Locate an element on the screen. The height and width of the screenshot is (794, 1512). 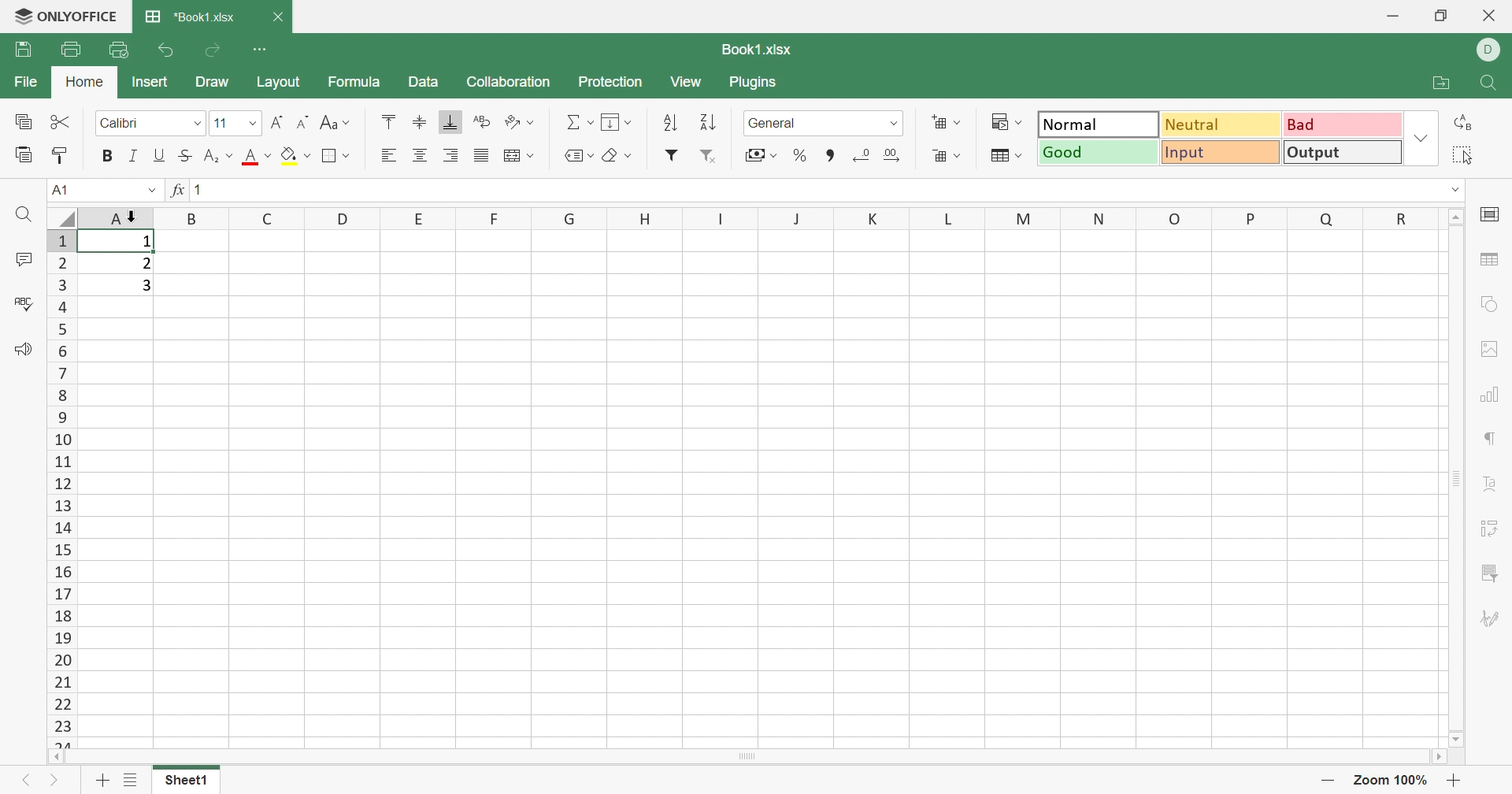
Formula is located at coordinates (352, 83).